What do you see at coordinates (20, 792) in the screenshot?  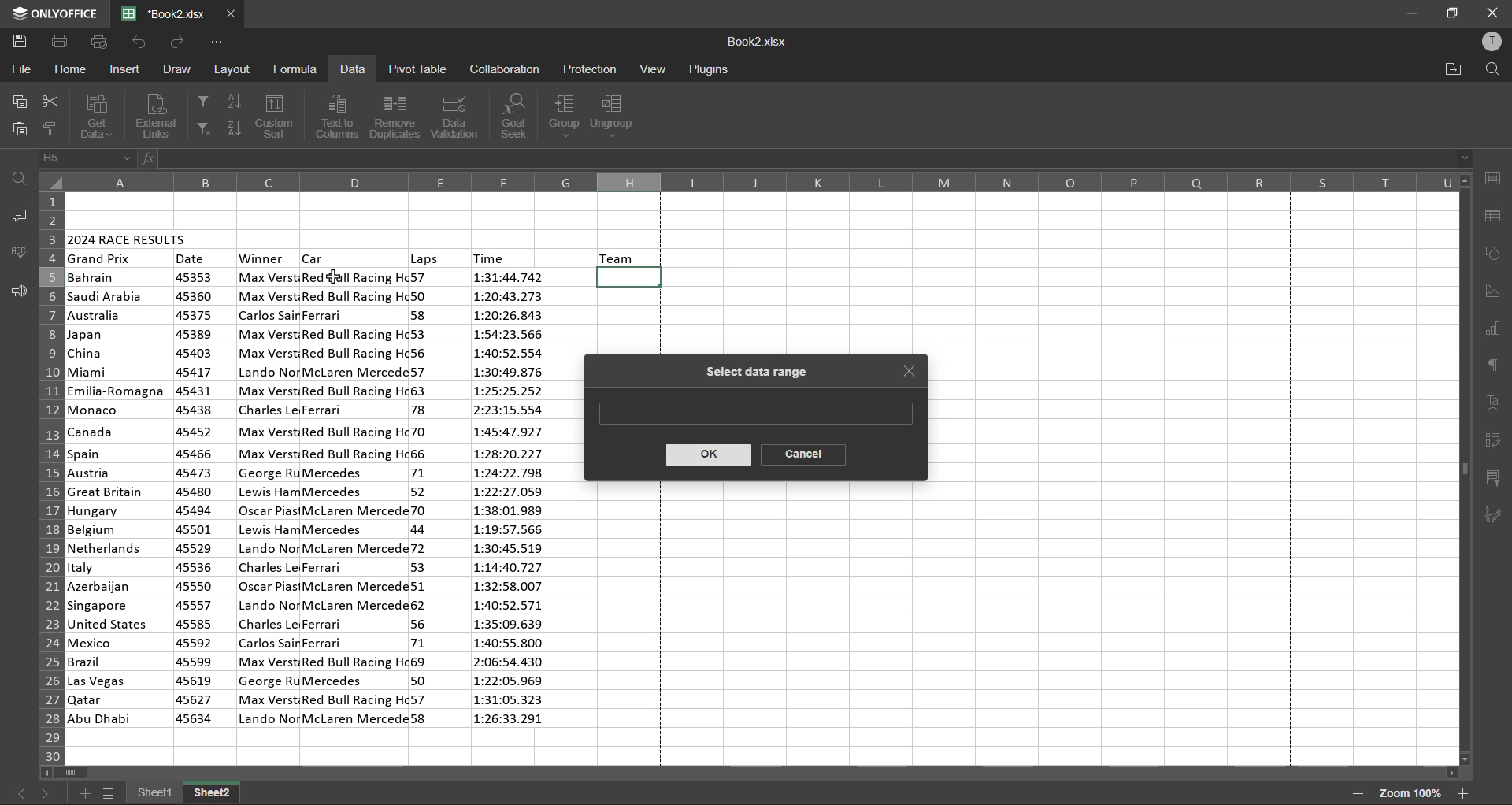 I see `previous` at bounding box center [20, 792].